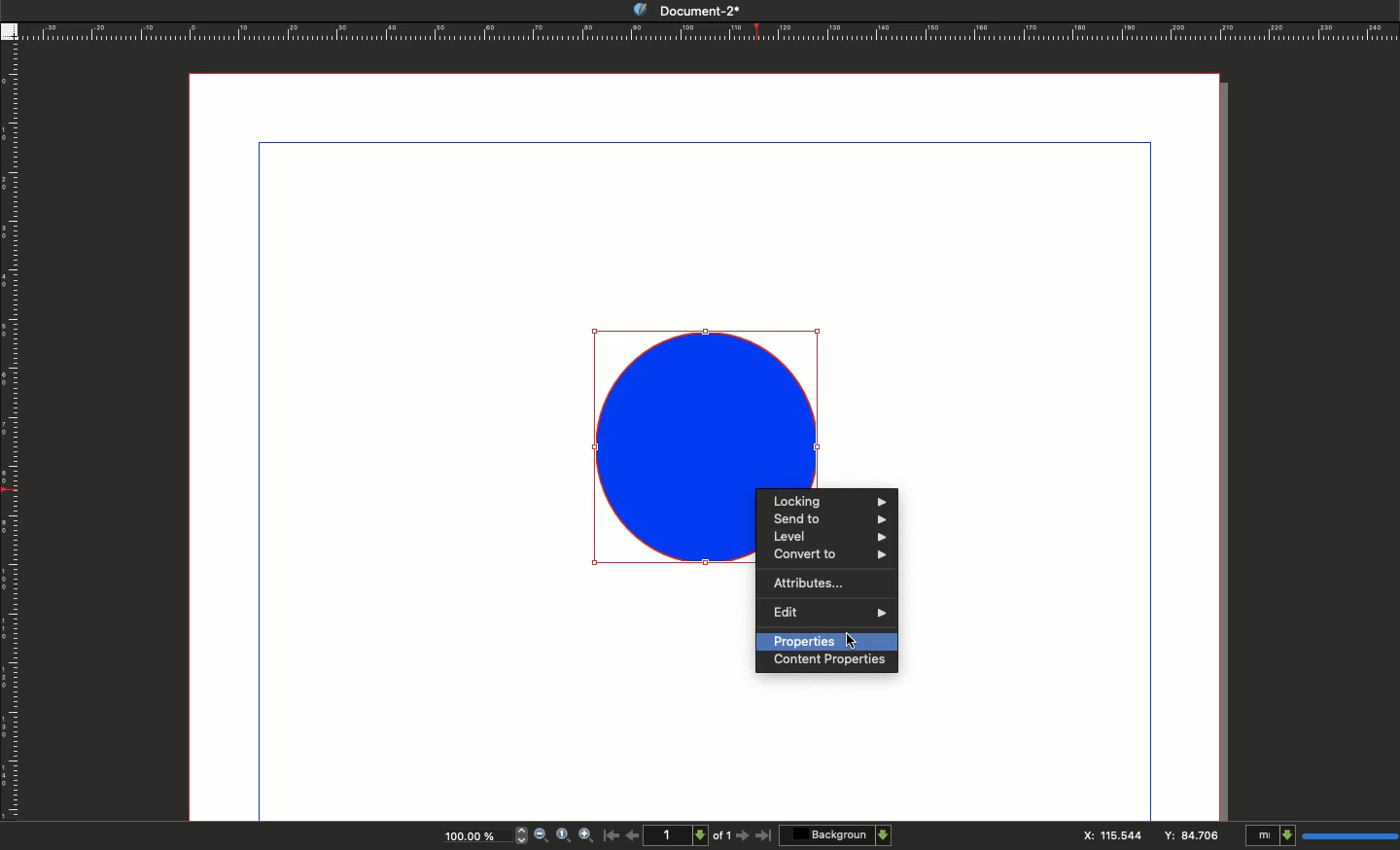  Describe the element at coordinates (709, 32) in the screenshot. I see `Ruler` at that location.